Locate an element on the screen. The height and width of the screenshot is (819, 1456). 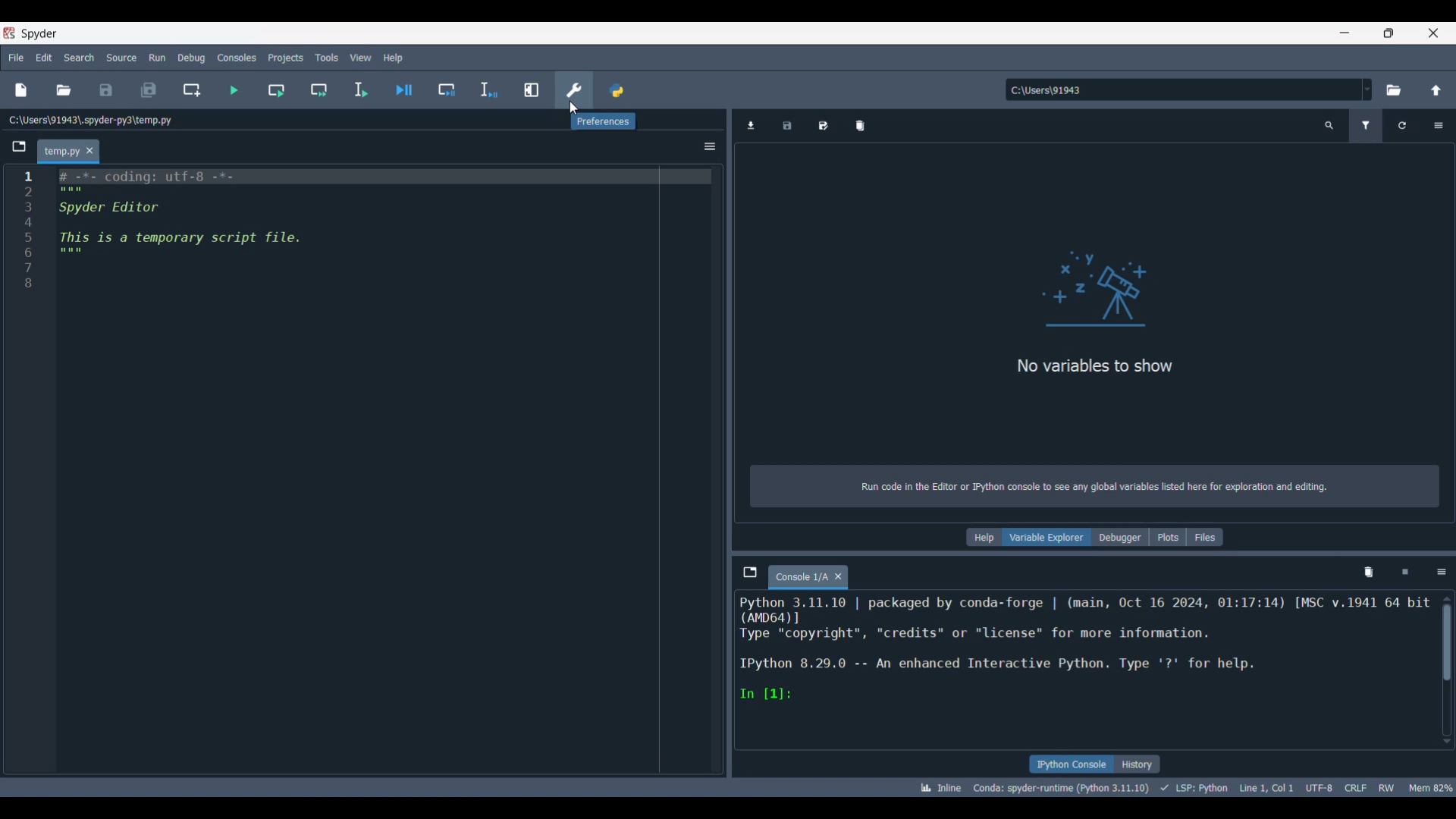
Code details is located at coordinates (1087, 648).